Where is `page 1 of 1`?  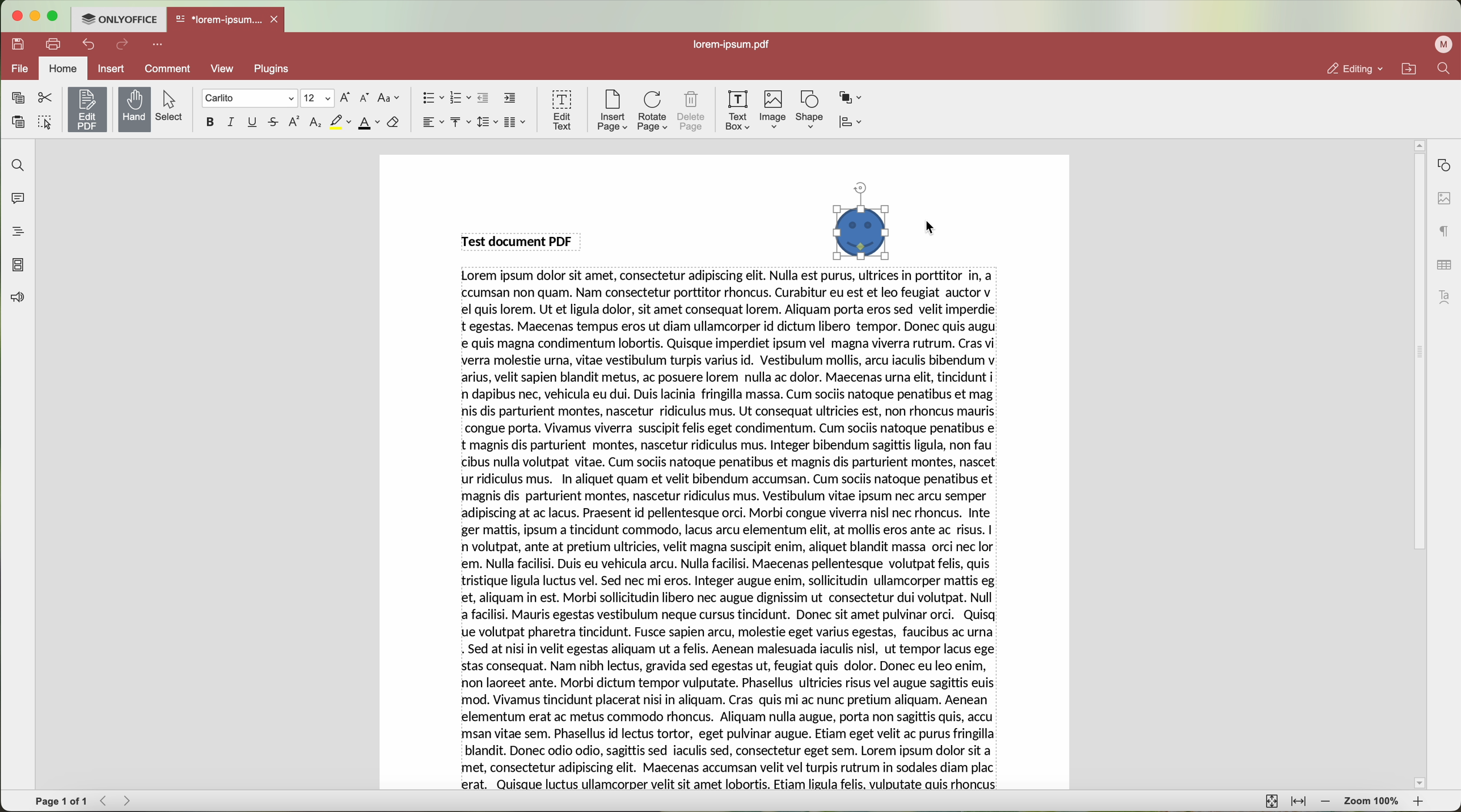
page 1 of 1 is located at coordinates (62, 802).